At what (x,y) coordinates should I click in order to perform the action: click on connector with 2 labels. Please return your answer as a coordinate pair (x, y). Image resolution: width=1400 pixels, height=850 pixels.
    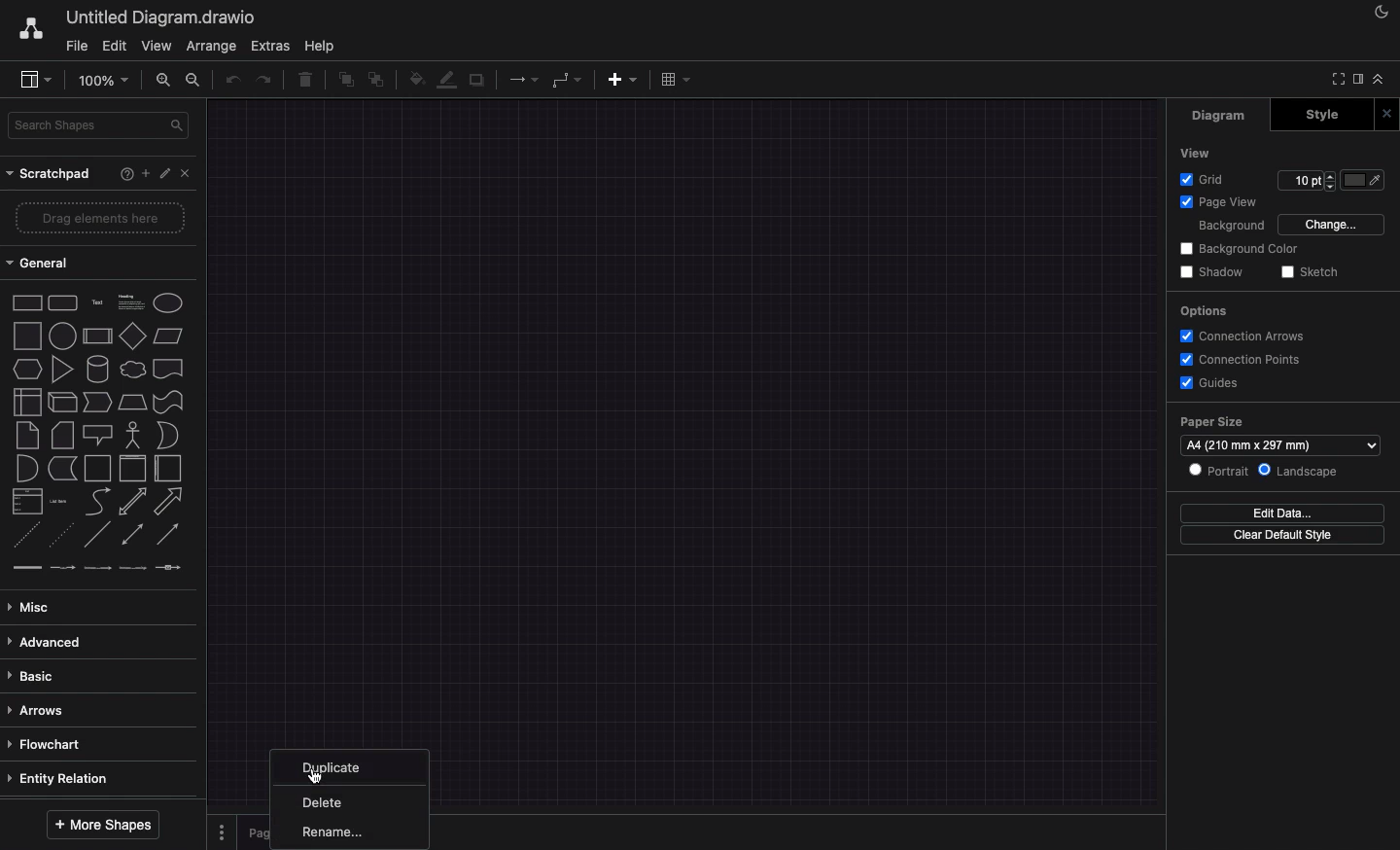
    Looking at the image, I should click on (97, 567).